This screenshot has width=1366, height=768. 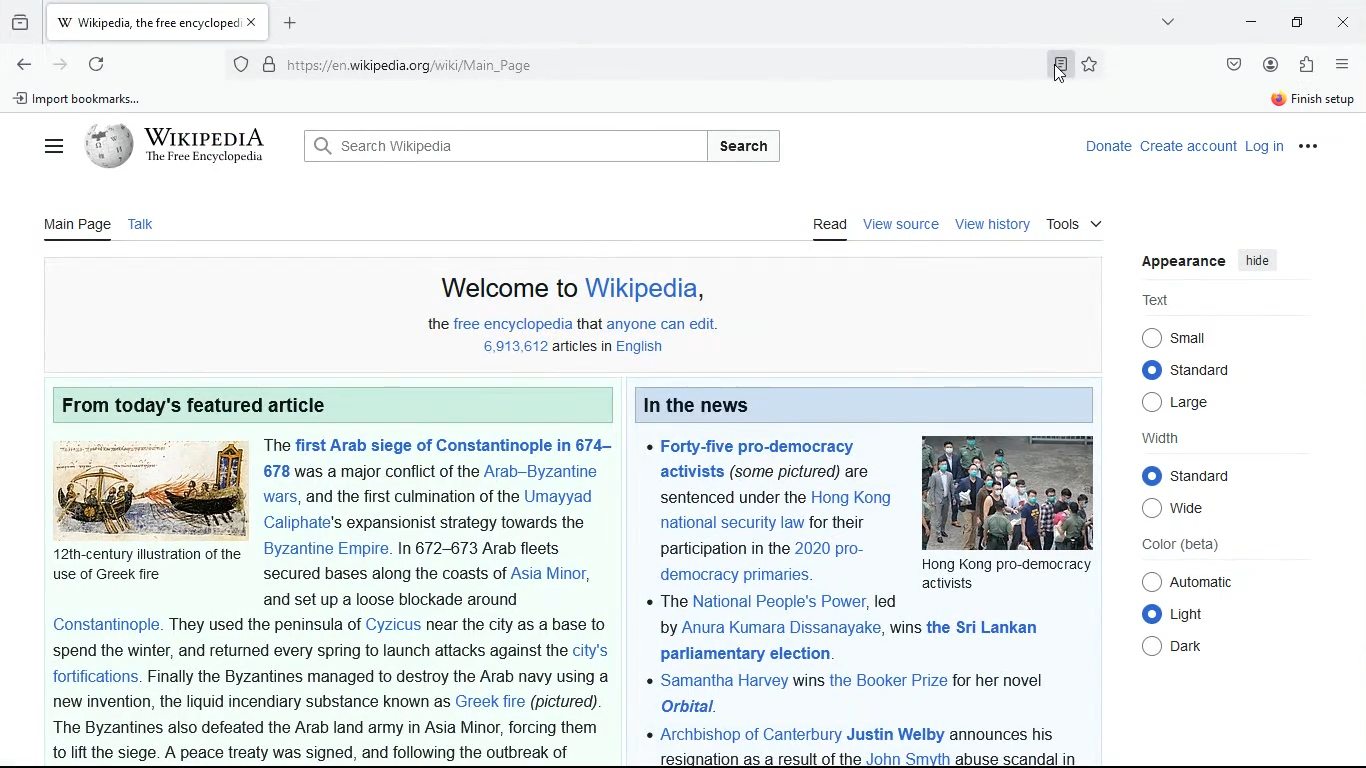 What do you see at coordinates (19, 24) in the screenshot?
I see `history` at bounding box center [19, 24].